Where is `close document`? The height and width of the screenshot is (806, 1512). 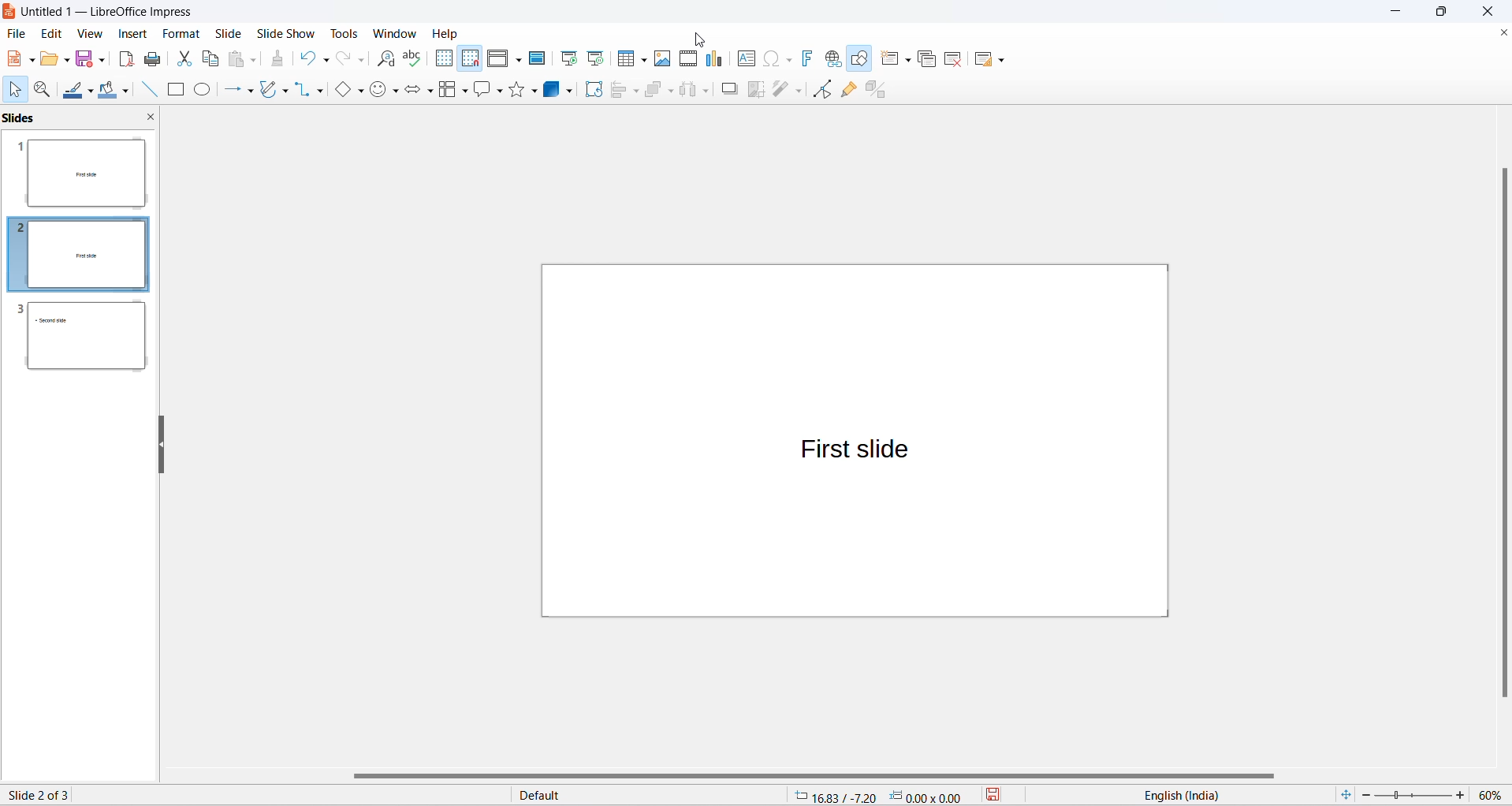 close document is located at coordinates (1501, 35).